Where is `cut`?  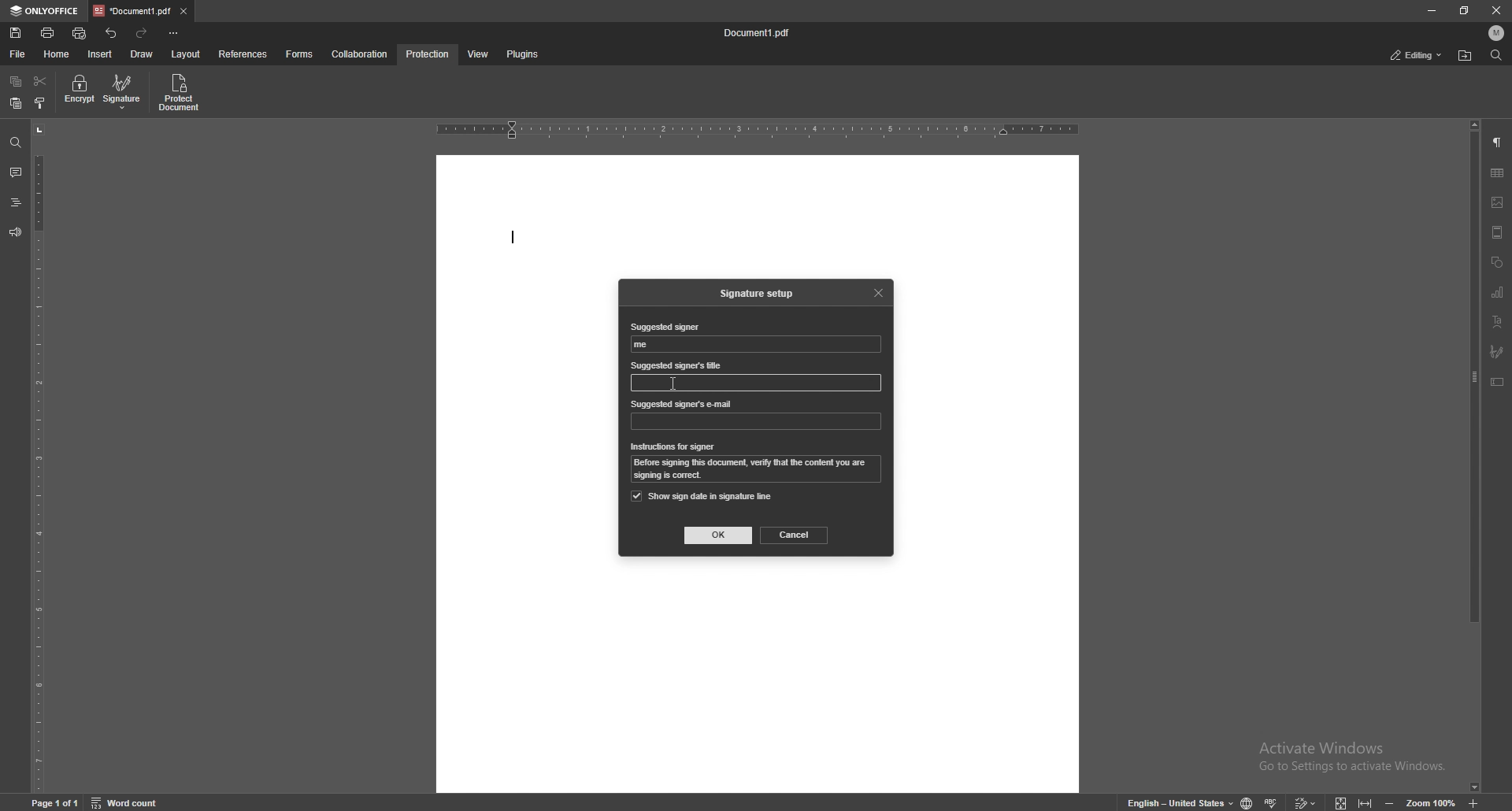 cut is located at coordinates (40, 82).